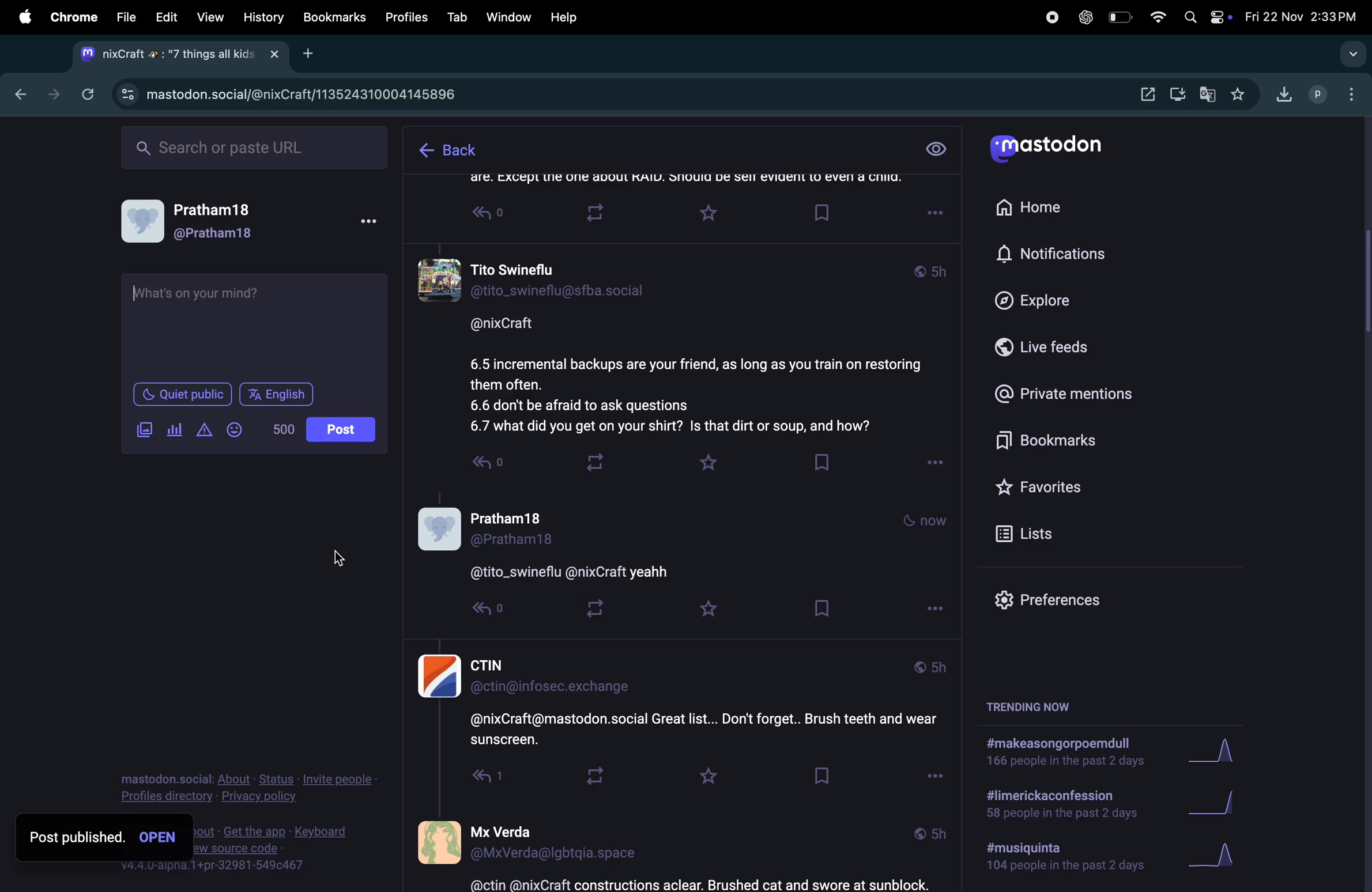 The image size is (1372, 892). Describe the element at coordinates (680, 702) in the screenshot. I see `thread` at that location.